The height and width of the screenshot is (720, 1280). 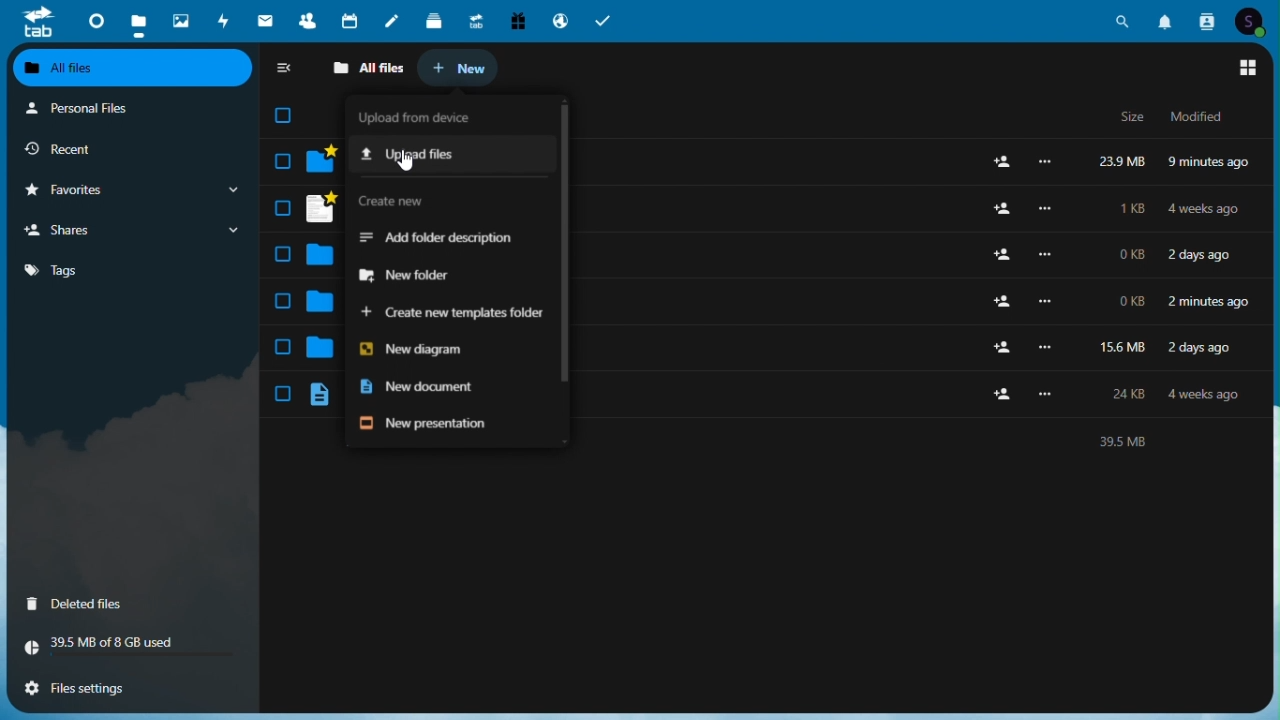 I want to click on Create new, so click(x=399, y=201).